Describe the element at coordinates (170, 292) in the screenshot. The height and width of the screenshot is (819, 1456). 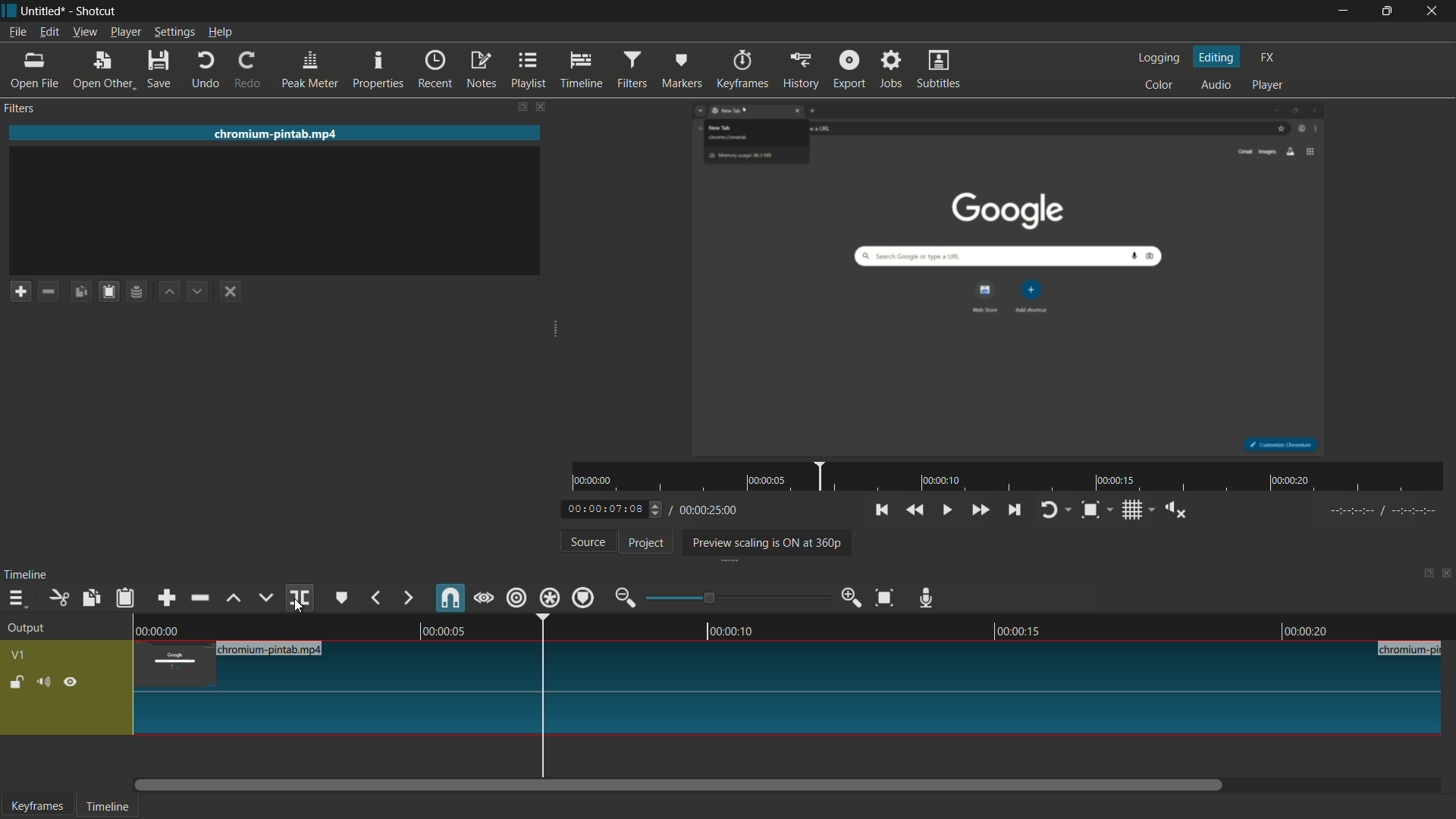
I see `move filter up` at that location.